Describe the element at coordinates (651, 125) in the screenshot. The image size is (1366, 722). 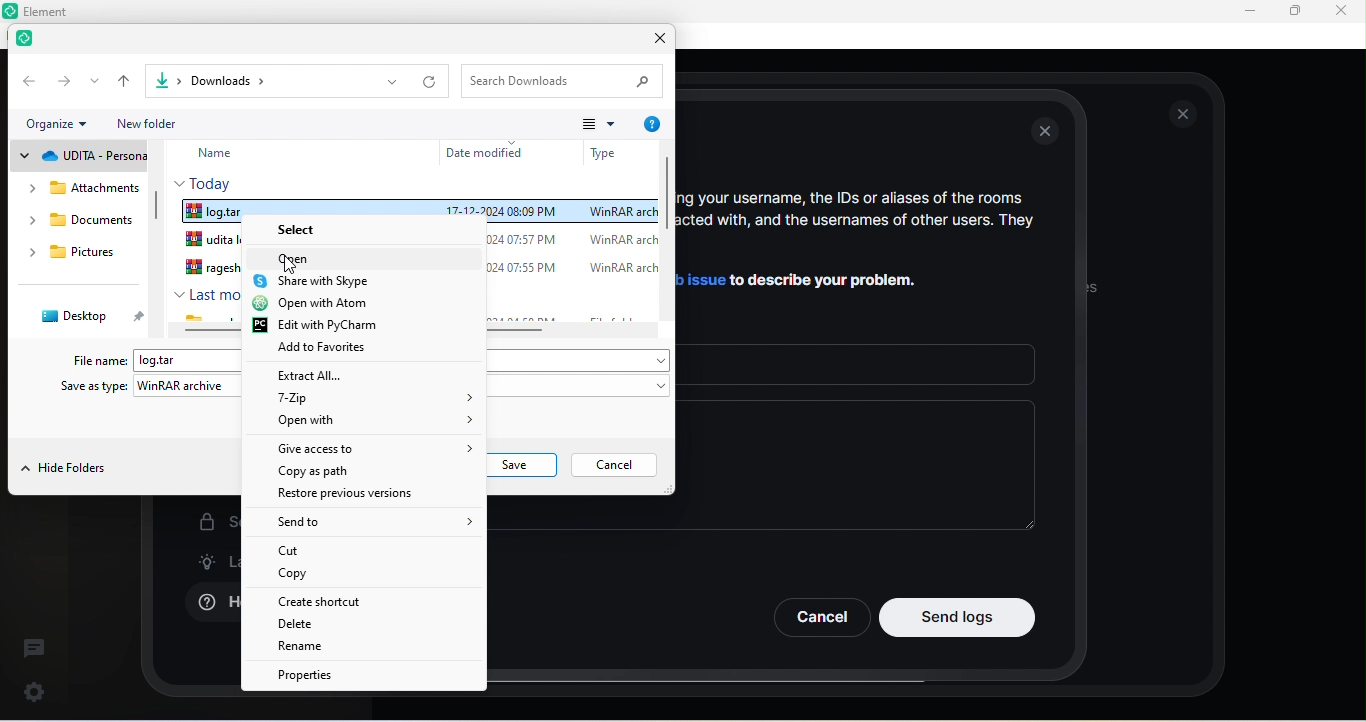
I see `help` at that location.